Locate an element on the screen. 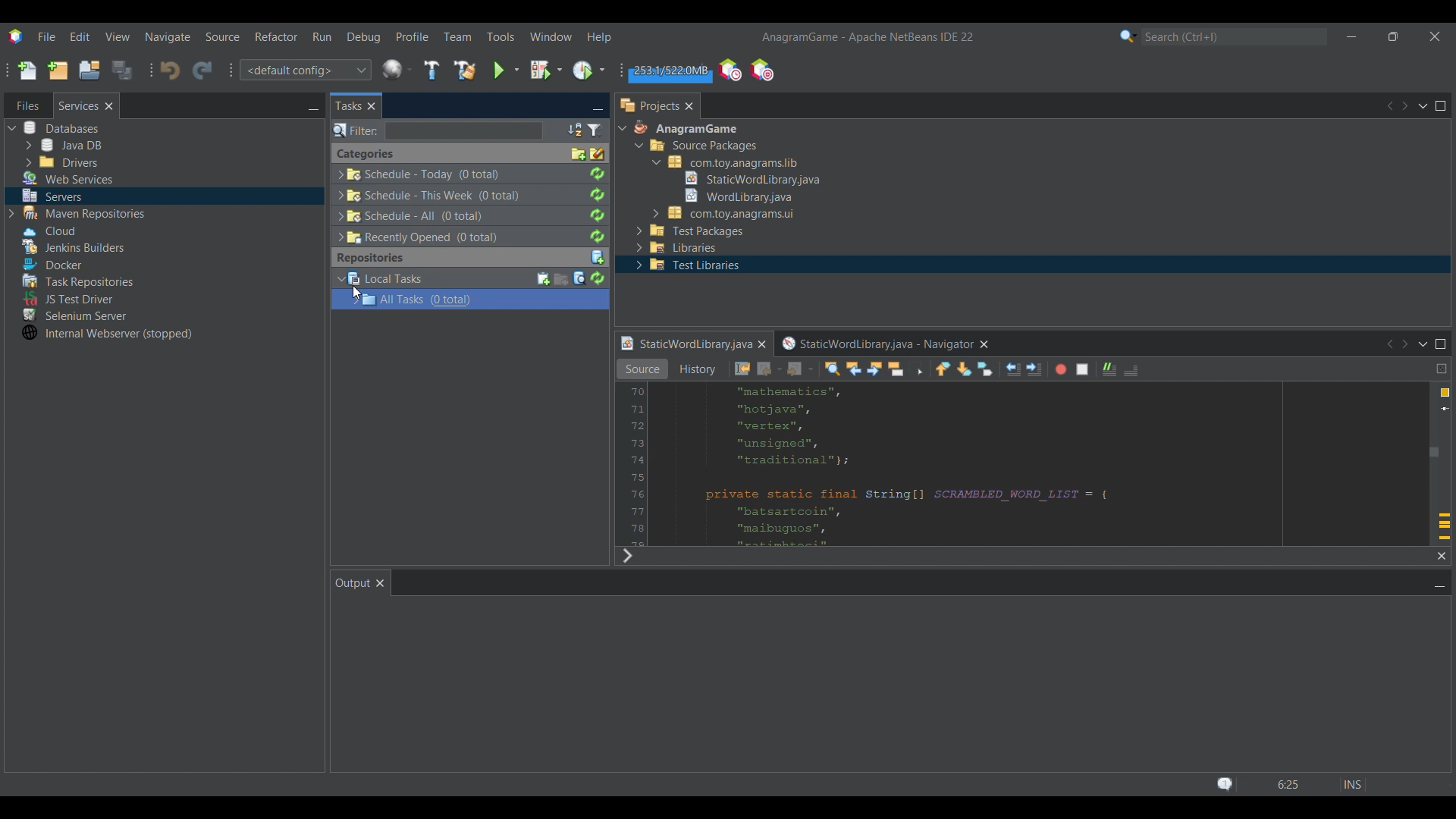   is located at coordinates (1083, 369).